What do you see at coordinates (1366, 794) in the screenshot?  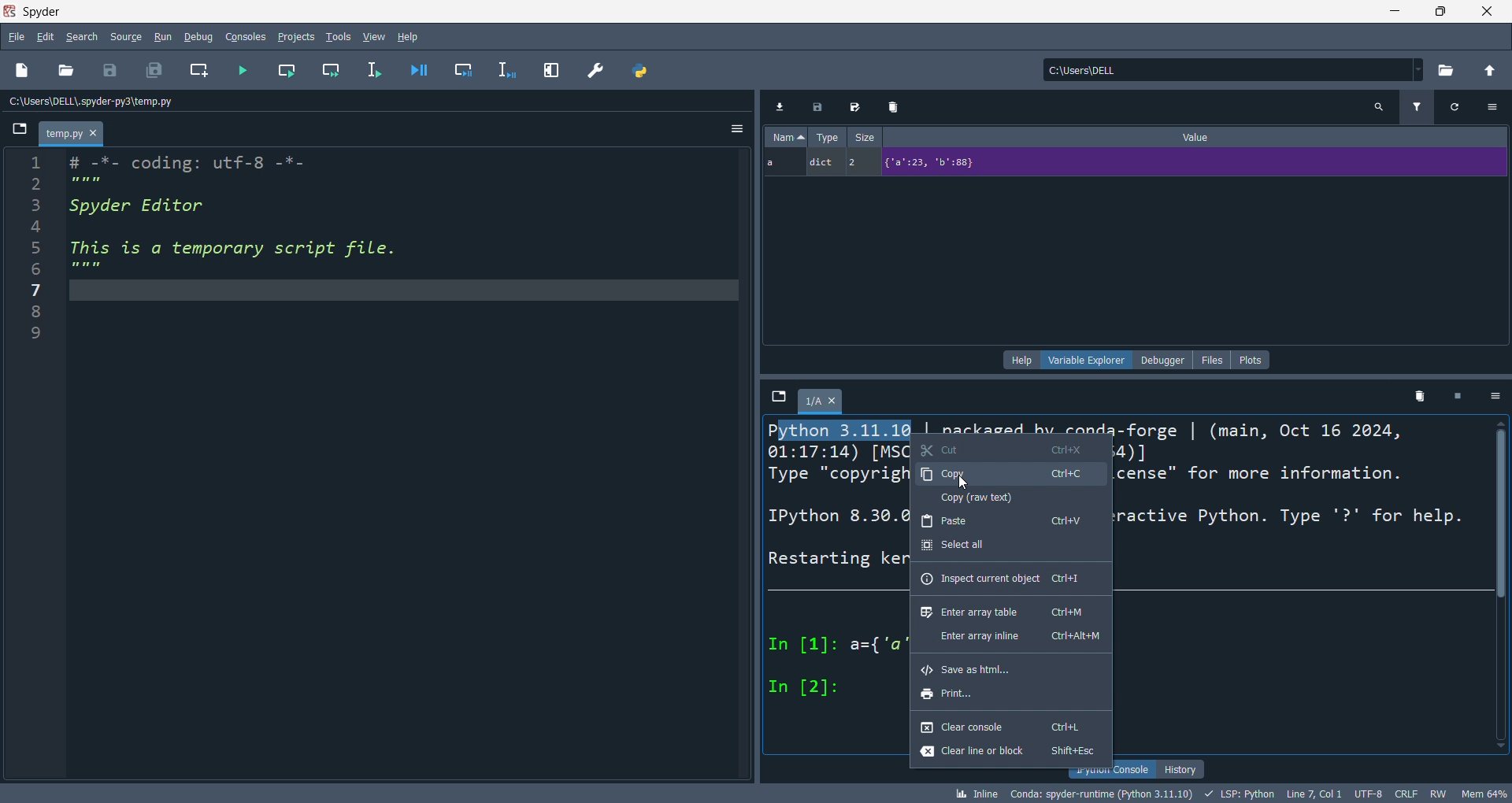 I see `UTF-8` at bounding box center [1366, 794].